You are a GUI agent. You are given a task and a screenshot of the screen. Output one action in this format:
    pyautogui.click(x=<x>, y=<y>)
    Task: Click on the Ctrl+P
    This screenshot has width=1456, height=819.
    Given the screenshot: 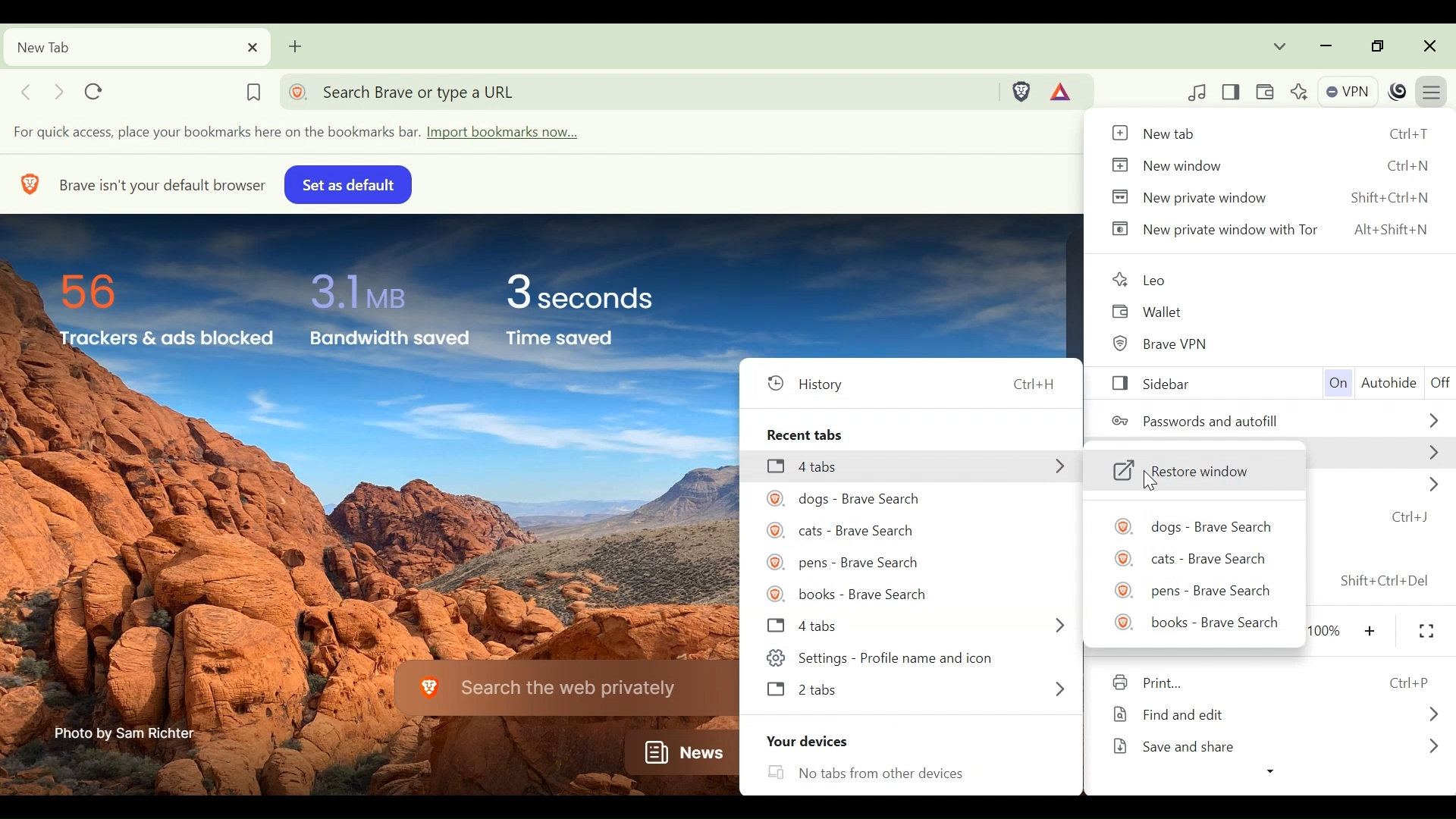 What is the action you would take?
    pyautogui.click(x=1404, y=682)
    